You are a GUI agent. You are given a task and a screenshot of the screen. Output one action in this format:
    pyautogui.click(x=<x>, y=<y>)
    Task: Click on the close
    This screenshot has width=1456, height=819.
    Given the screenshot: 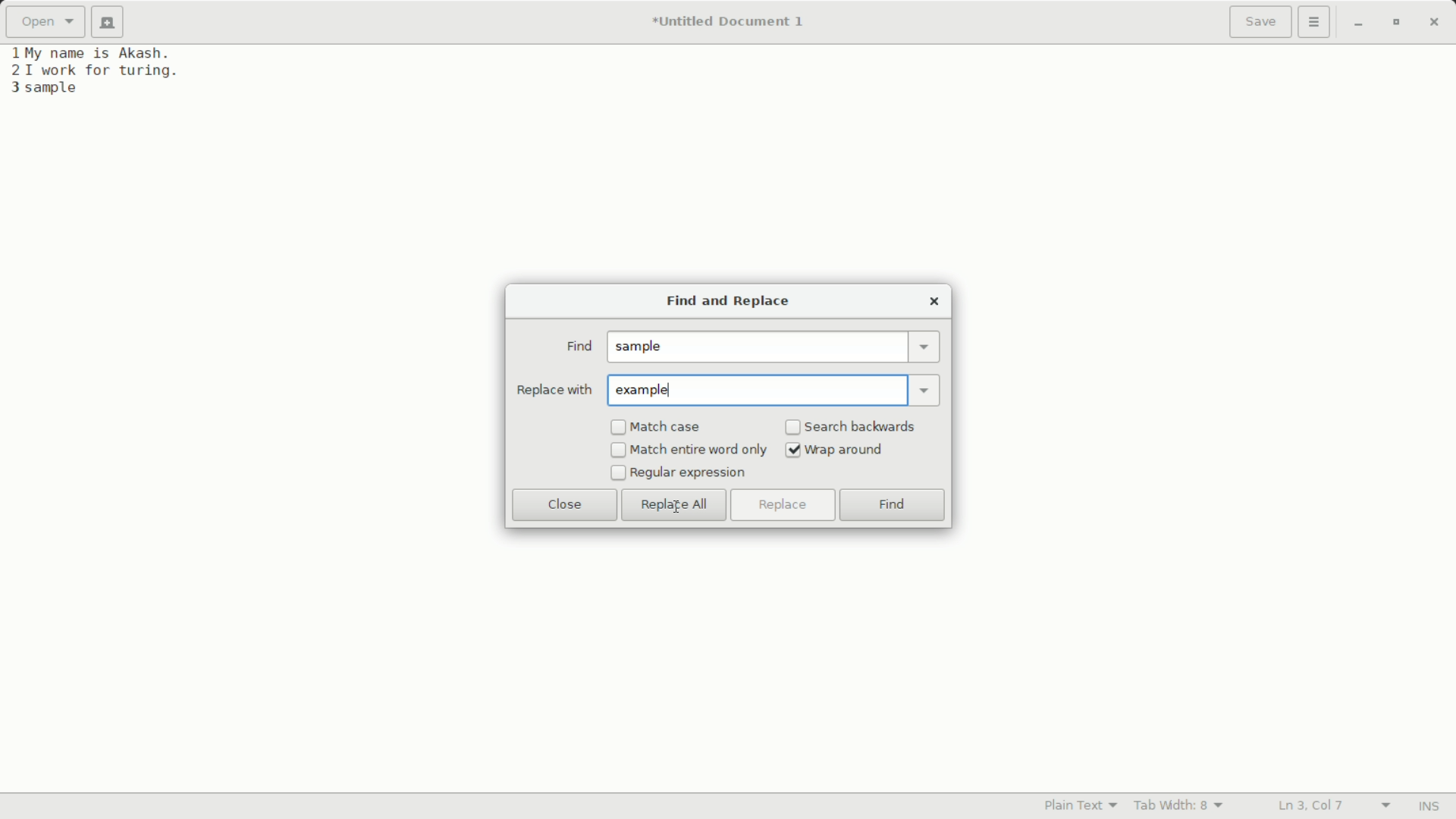 What is the action you would take?
    pyautogui.click(x=934, y=301)
    